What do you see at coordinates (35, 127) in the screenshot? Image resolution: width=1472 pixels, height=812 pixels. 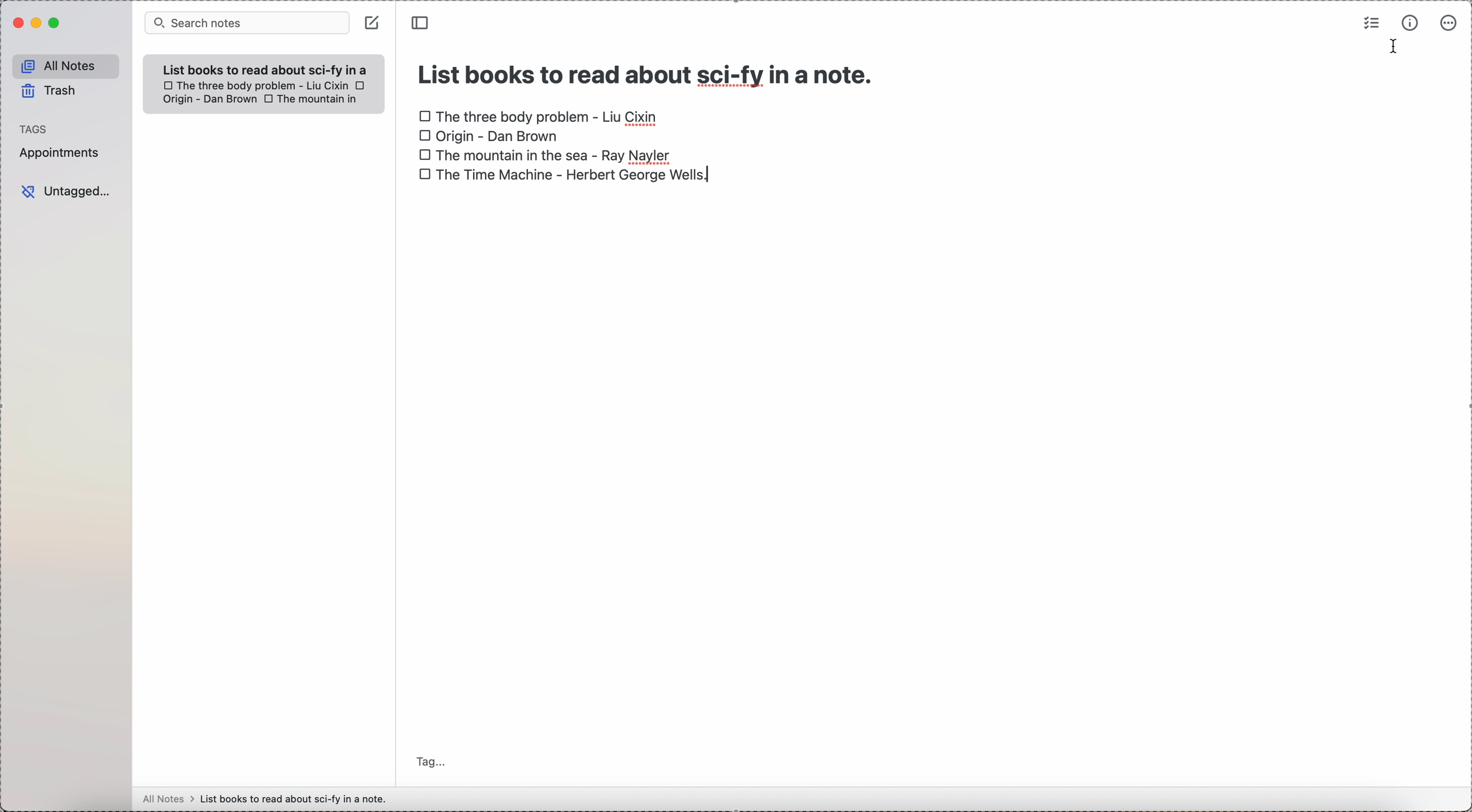 I see `tags` at bounding box center [35, 127].